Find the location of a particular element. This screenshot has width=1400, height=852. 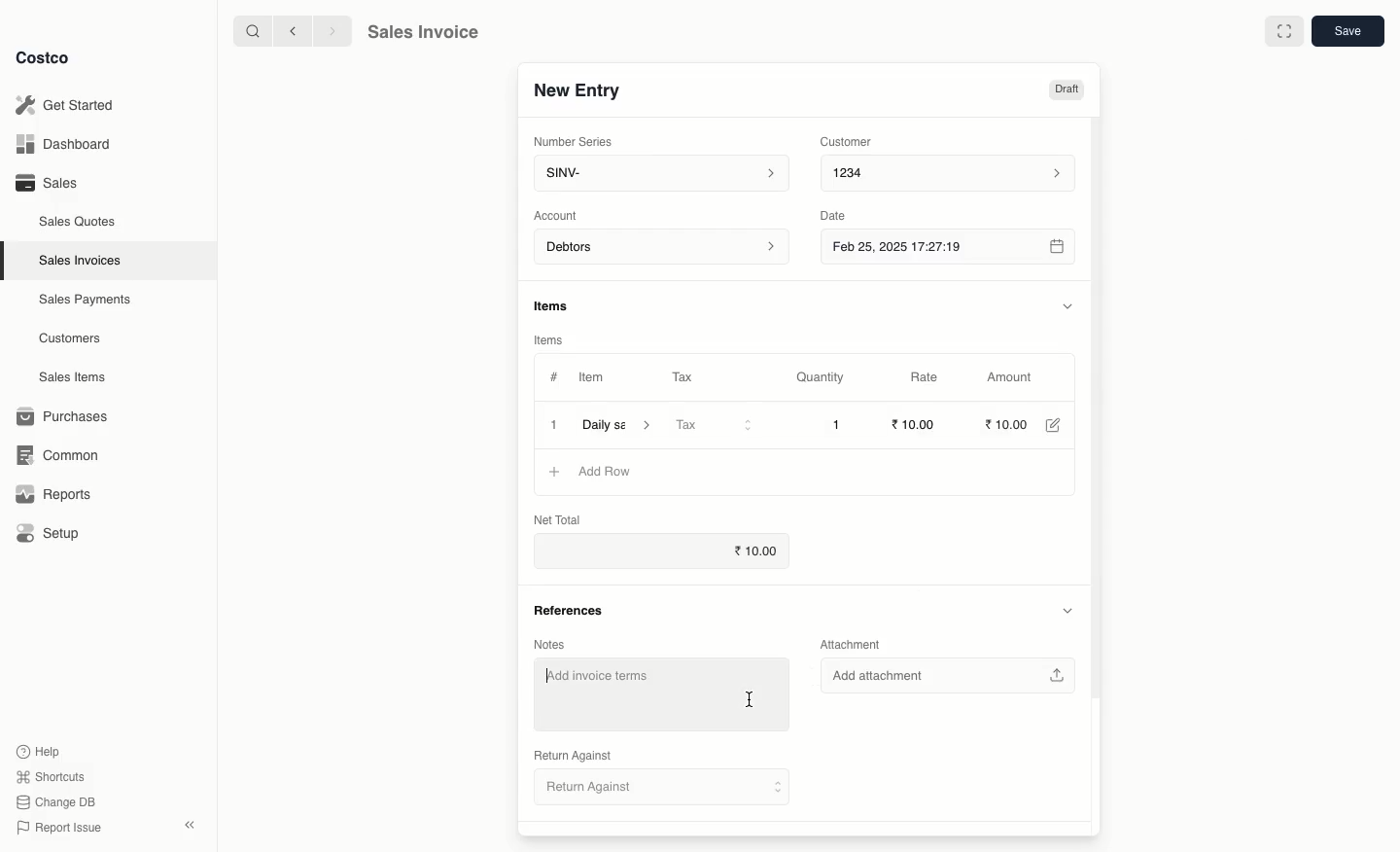

Rate is located at coordinates (936, 376).